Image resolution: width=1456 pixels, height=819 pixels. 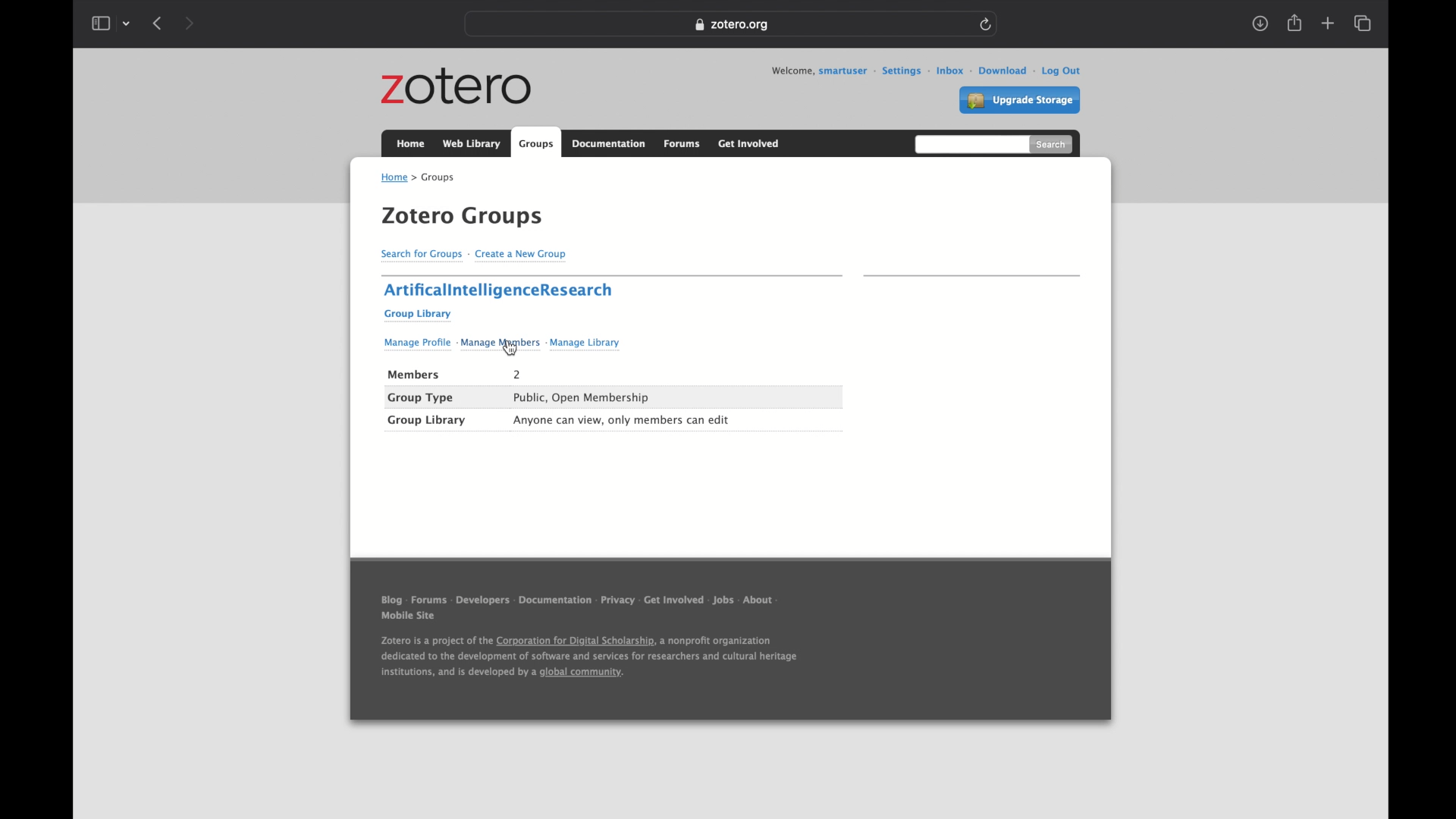 I want to click on search bar, so click(x=969, y=143).